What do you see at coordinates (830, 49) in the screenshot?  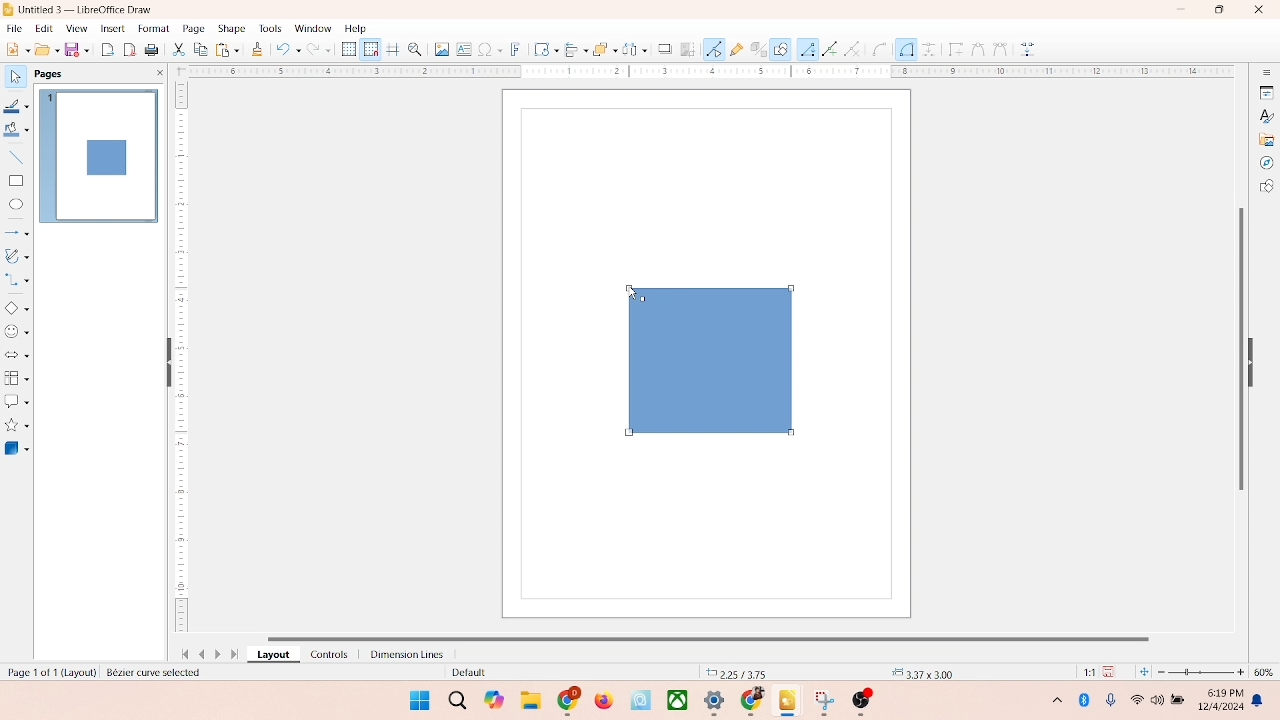 I see `Freeform line tool` at bounding box center [830, 49].